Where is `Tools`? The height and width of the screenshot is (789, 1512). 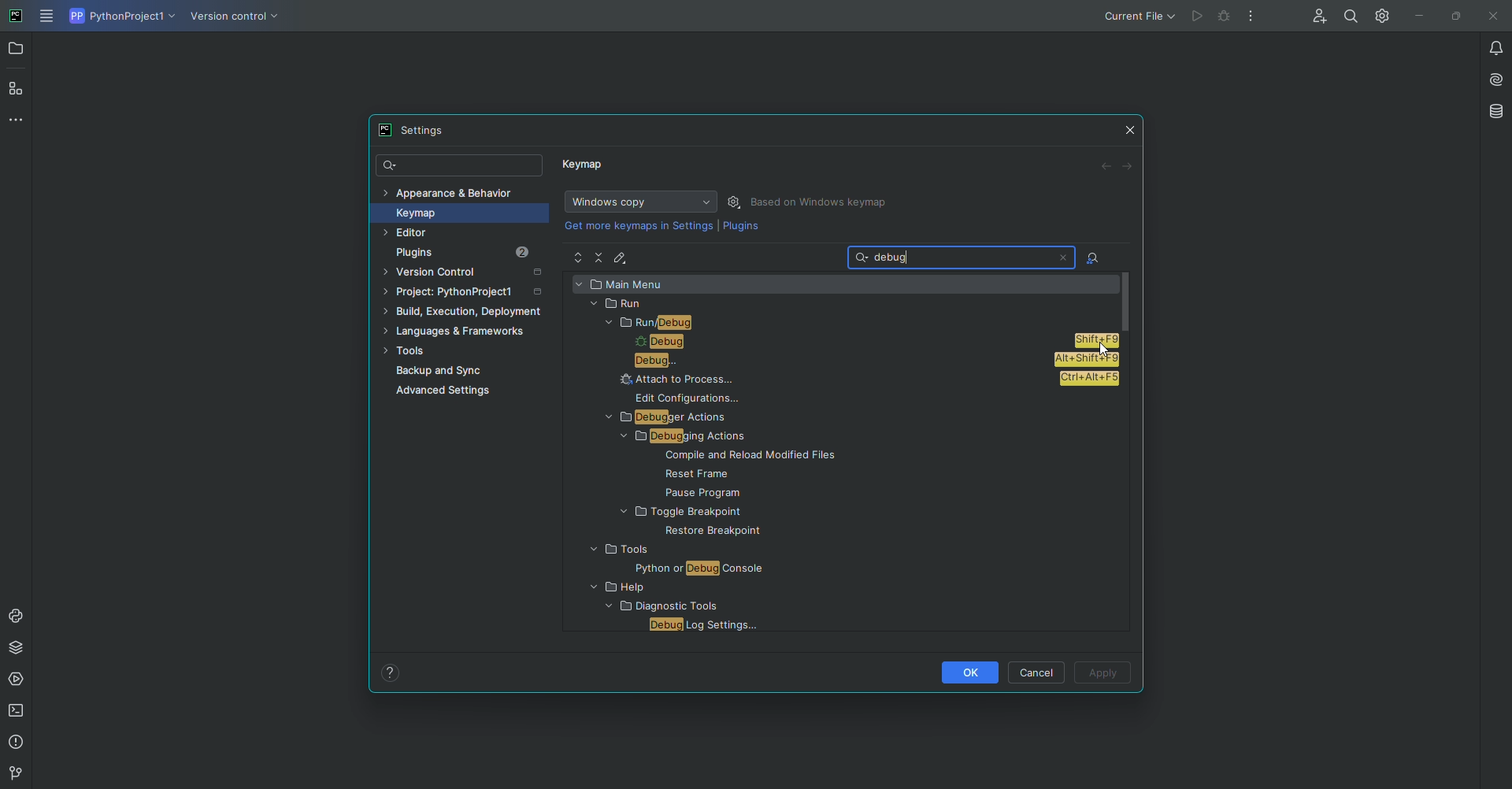
Tools is located at coordinates (460, 352).